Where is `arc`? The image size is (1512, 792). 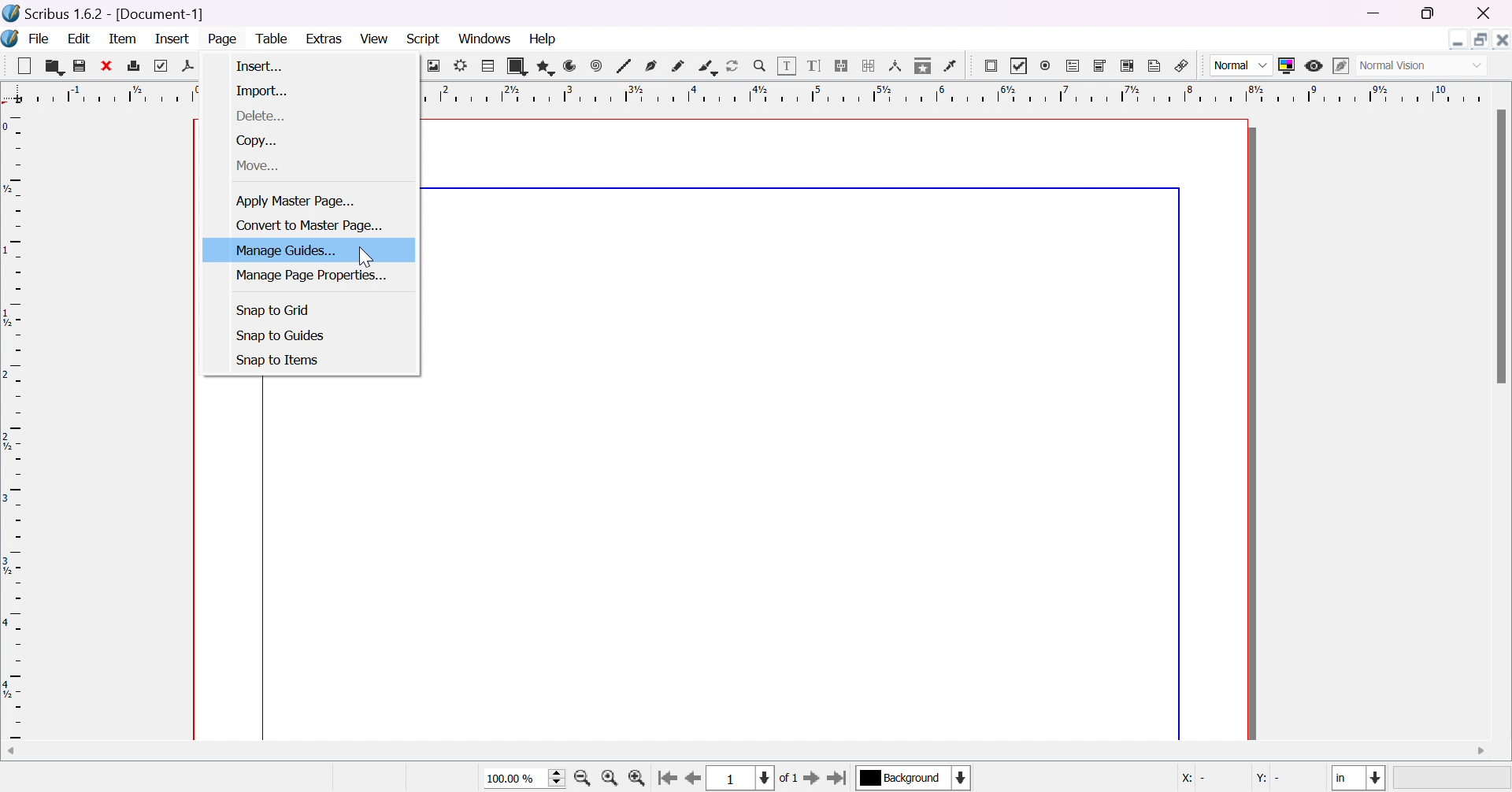
arc is located at coordinates (571, 68).